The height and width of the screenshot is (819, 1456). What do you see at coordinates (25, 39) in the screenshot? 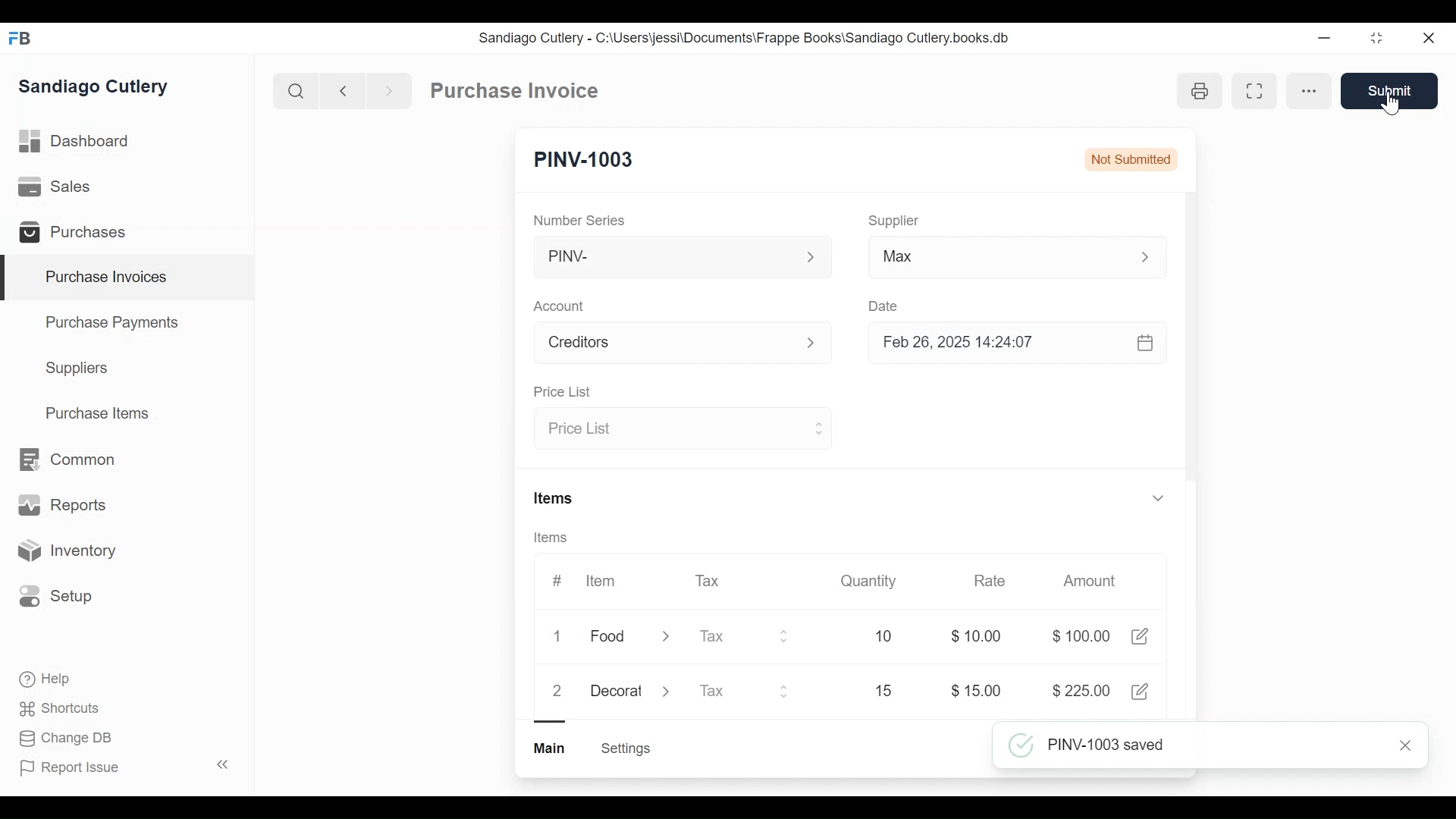
I see `Frappe Books Desktop icon` at bounding box center [25, 39].